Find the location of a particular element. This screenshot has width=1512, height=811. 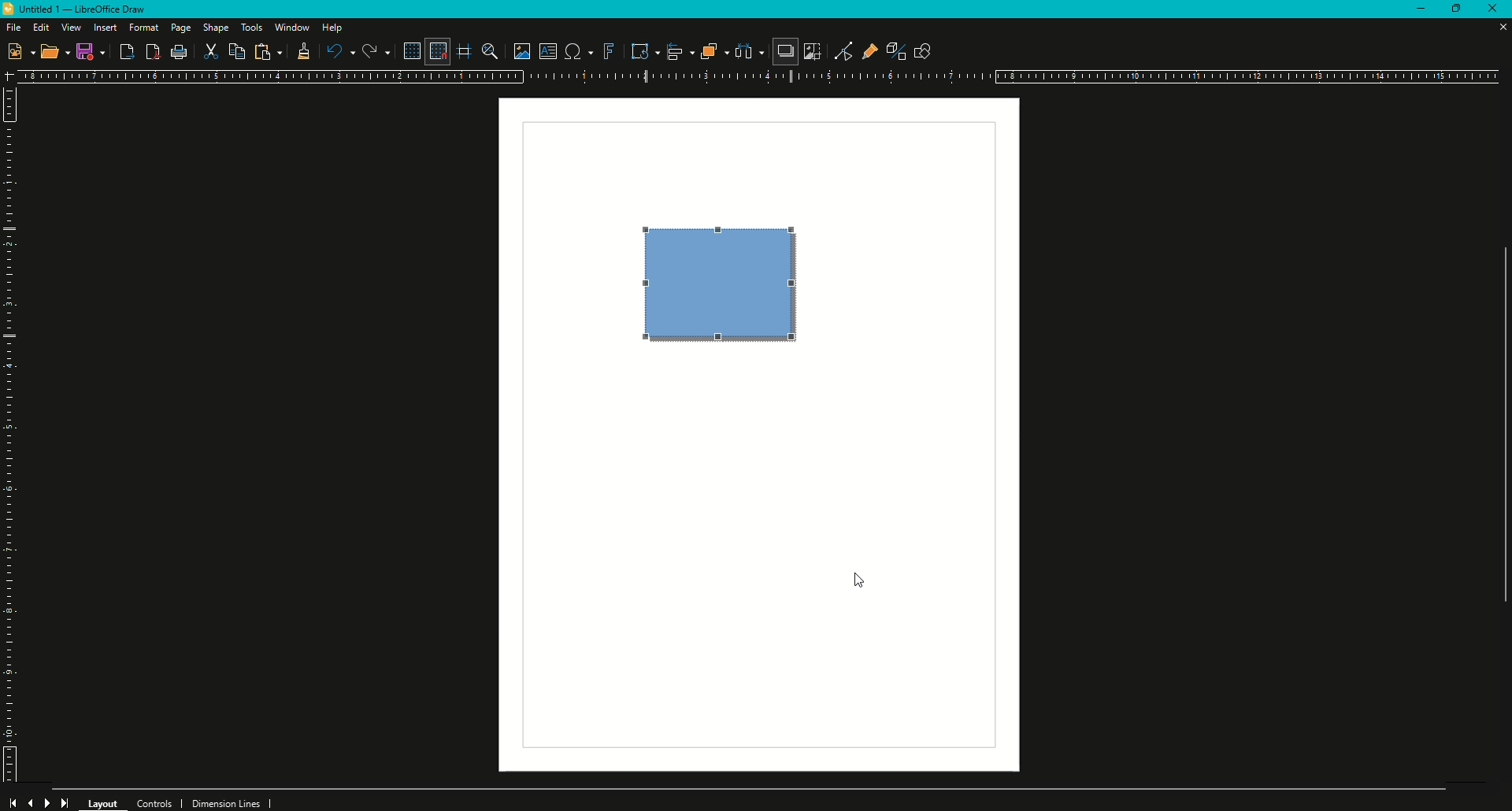

Insert Special Characters is located at coordinates (576, 51).